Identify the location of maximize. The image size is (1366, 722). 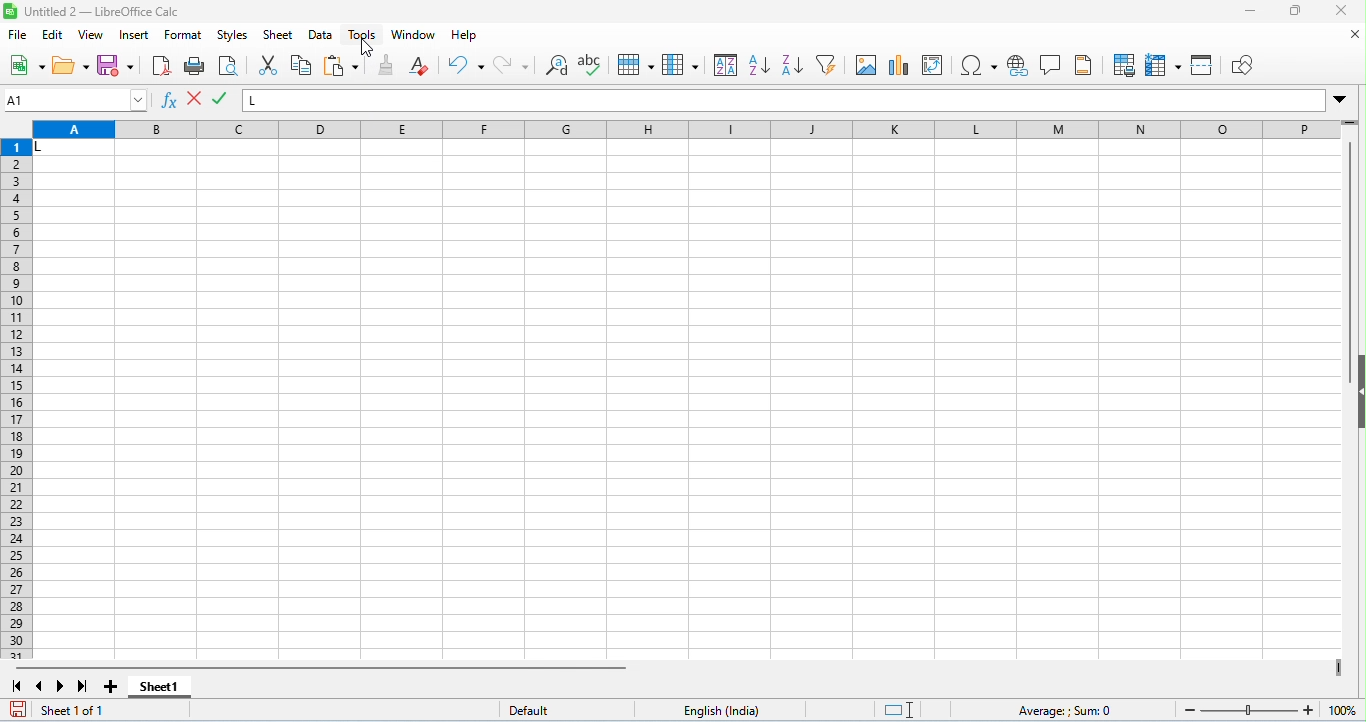
(1294, 13).